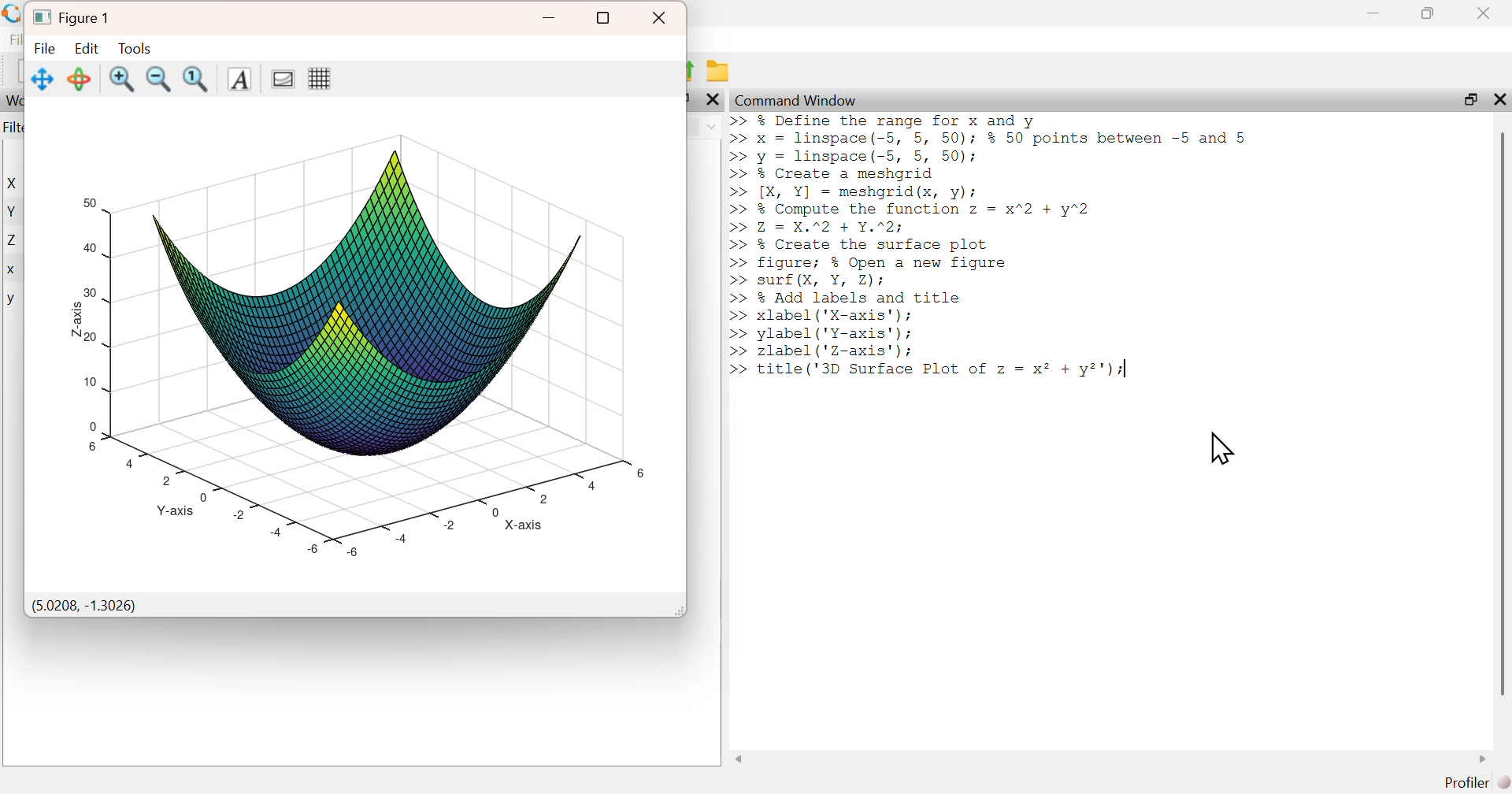  I want to click on Gradient, so click(280, 78).